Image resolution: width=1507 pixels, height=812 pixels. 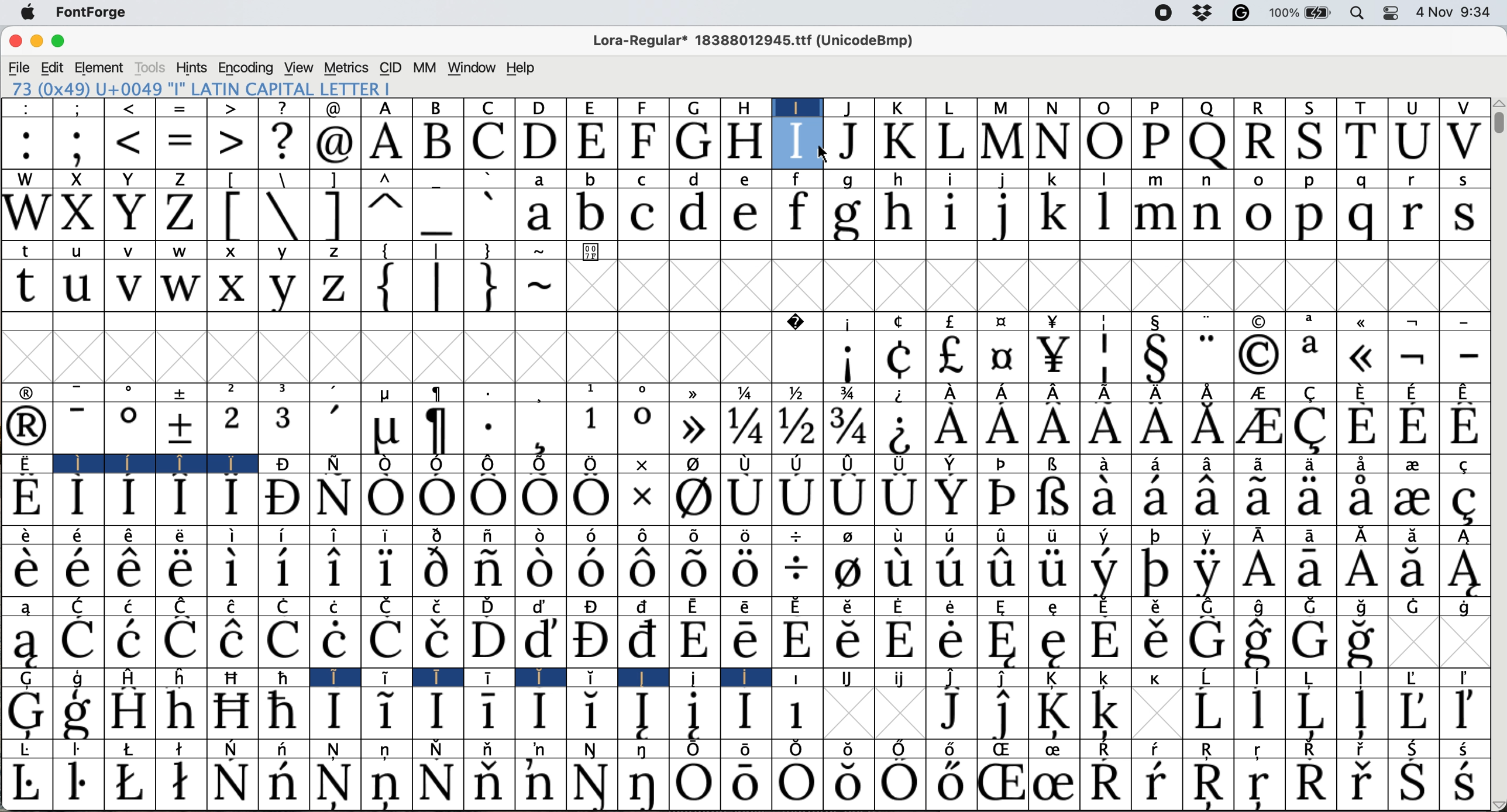 I want to click on Symbol, so click(x=285, y=748).